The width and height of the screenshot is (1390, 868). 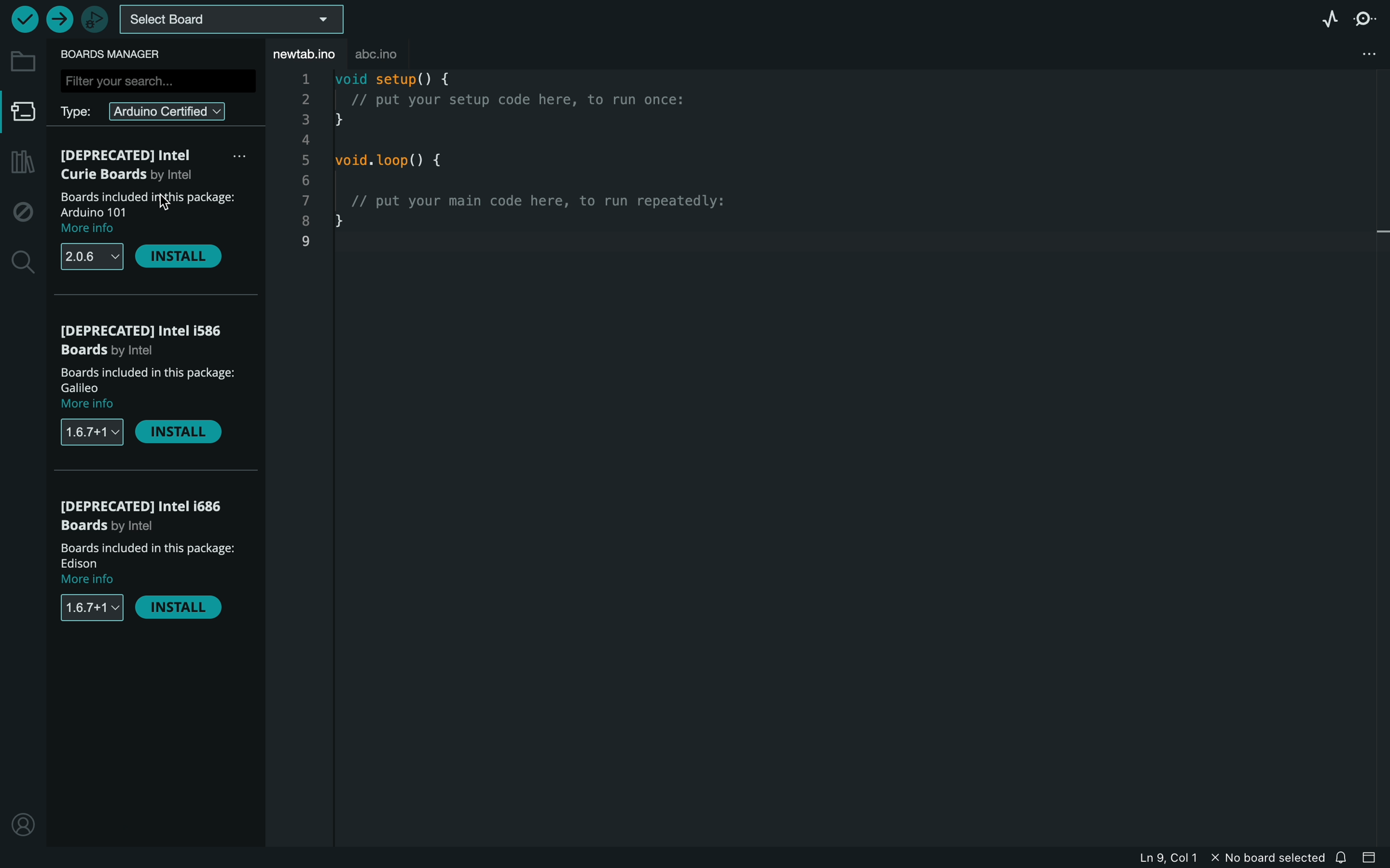 I want to click on close slide bar, so click(x=1373, y=858).